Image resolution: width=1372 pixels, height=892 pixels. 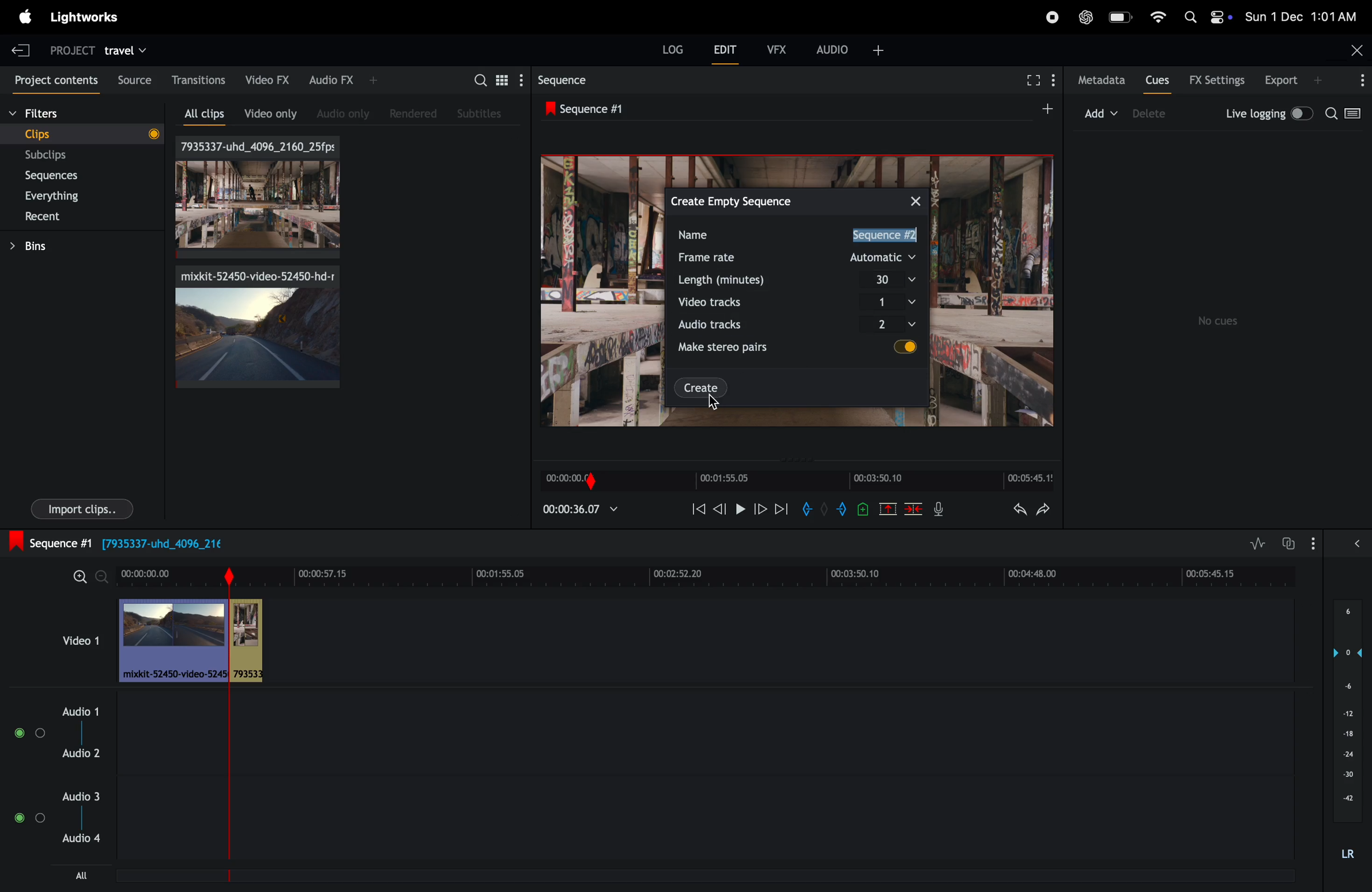 What do you see at coordinates (714, 403) in the screenshot?
I see `cursor` at bounding box center [714, 403].